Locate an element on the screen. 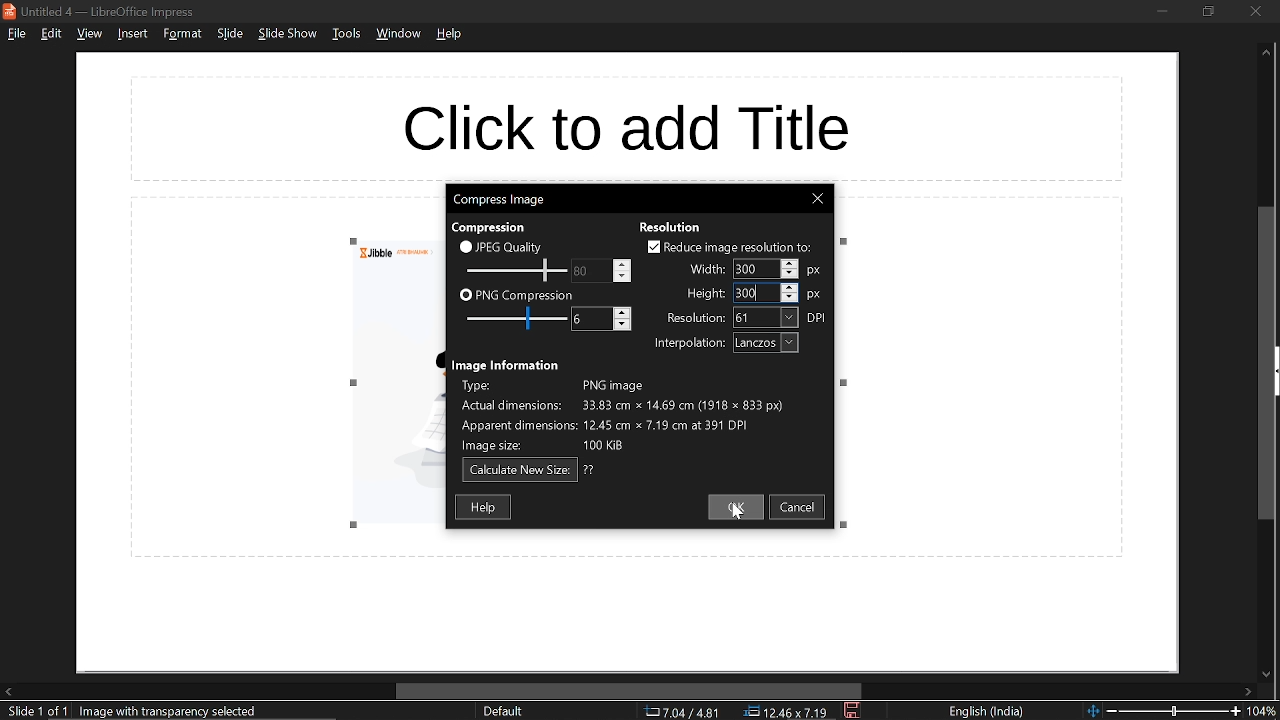 Image resolution: width=1280 pixels, height=720 pixels. Decrease  is located at coordinates (790, 275).